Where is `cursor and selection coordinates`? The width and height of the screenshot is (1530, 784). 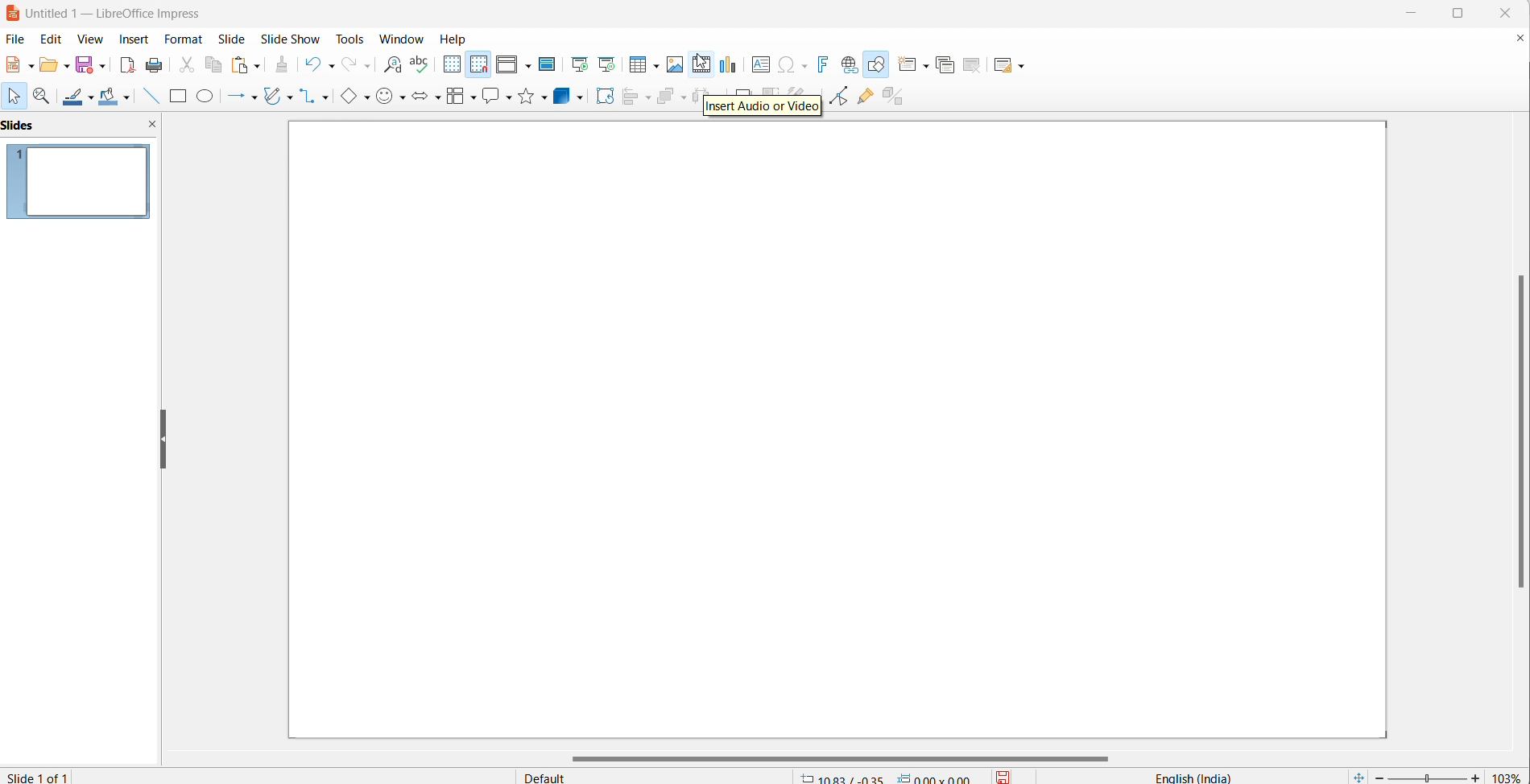
cursor and selection coordinates is located at coordinates (889, 774).